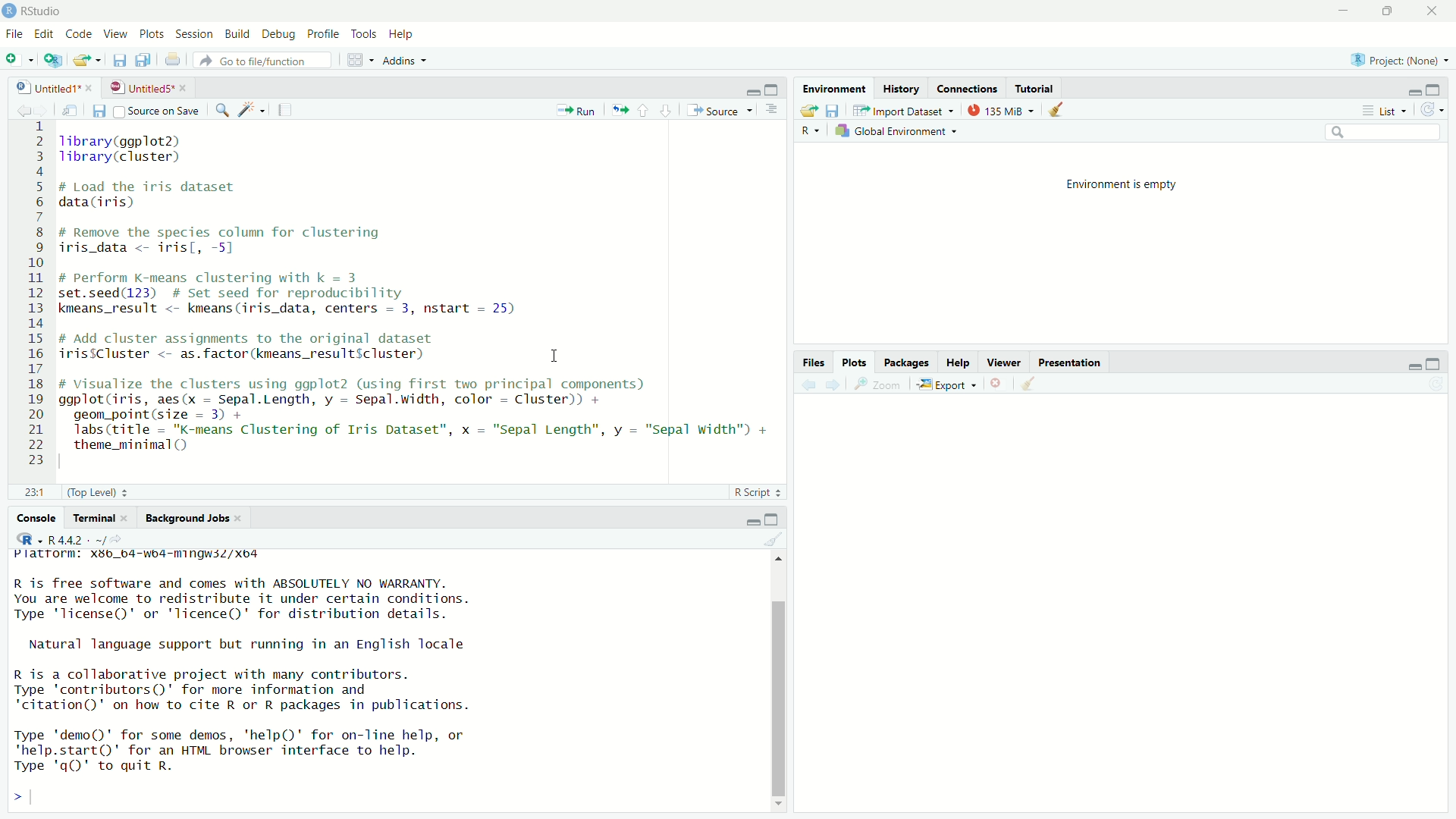 The width and height of the screenshot is (1456, 819). Describe the element at coordinates (880, 384) in the screenshot. I see `view a larger version of the plot in new window` at that location.